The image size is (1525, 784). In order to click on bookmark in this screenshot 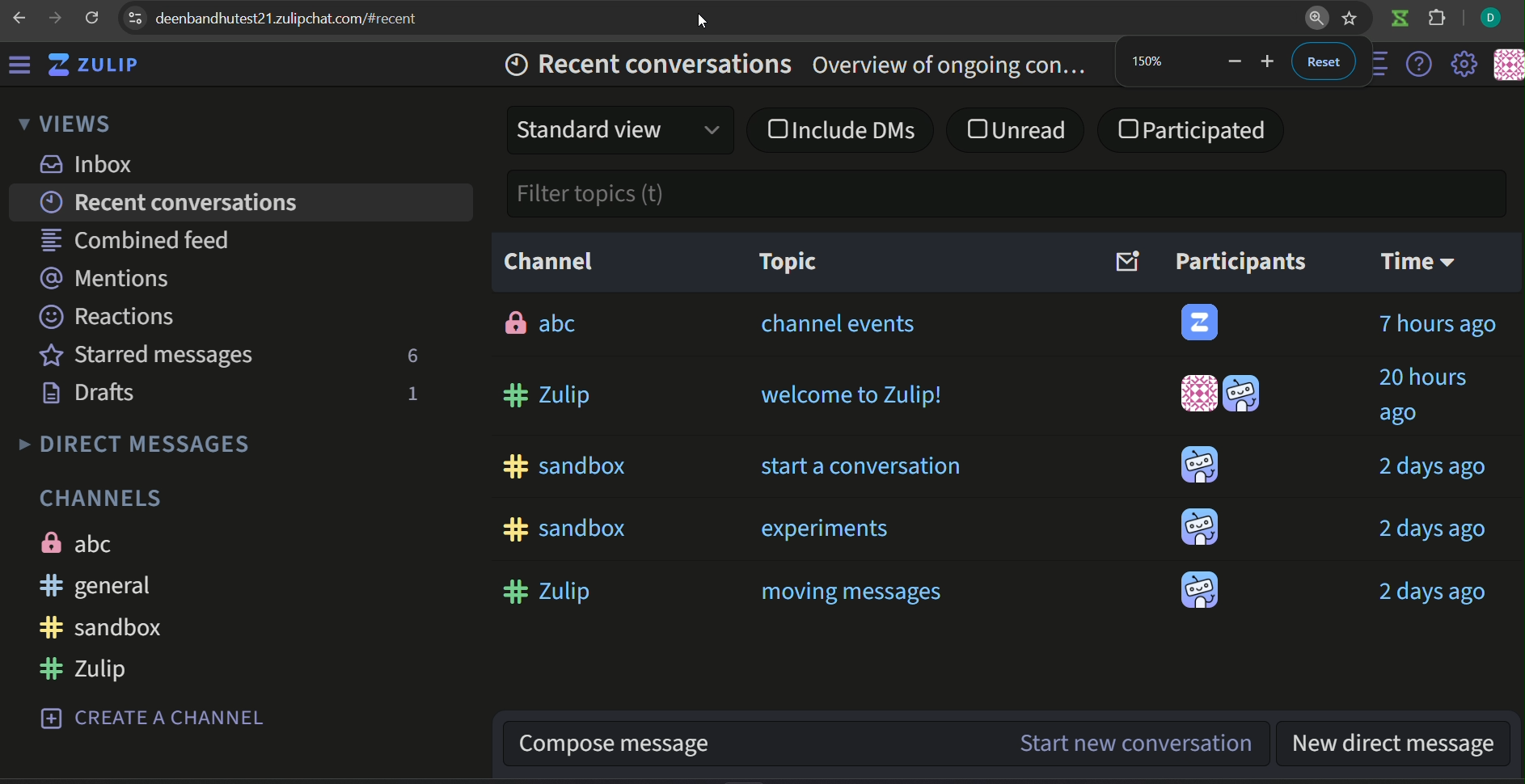, I will do `click(1350, 19)`.